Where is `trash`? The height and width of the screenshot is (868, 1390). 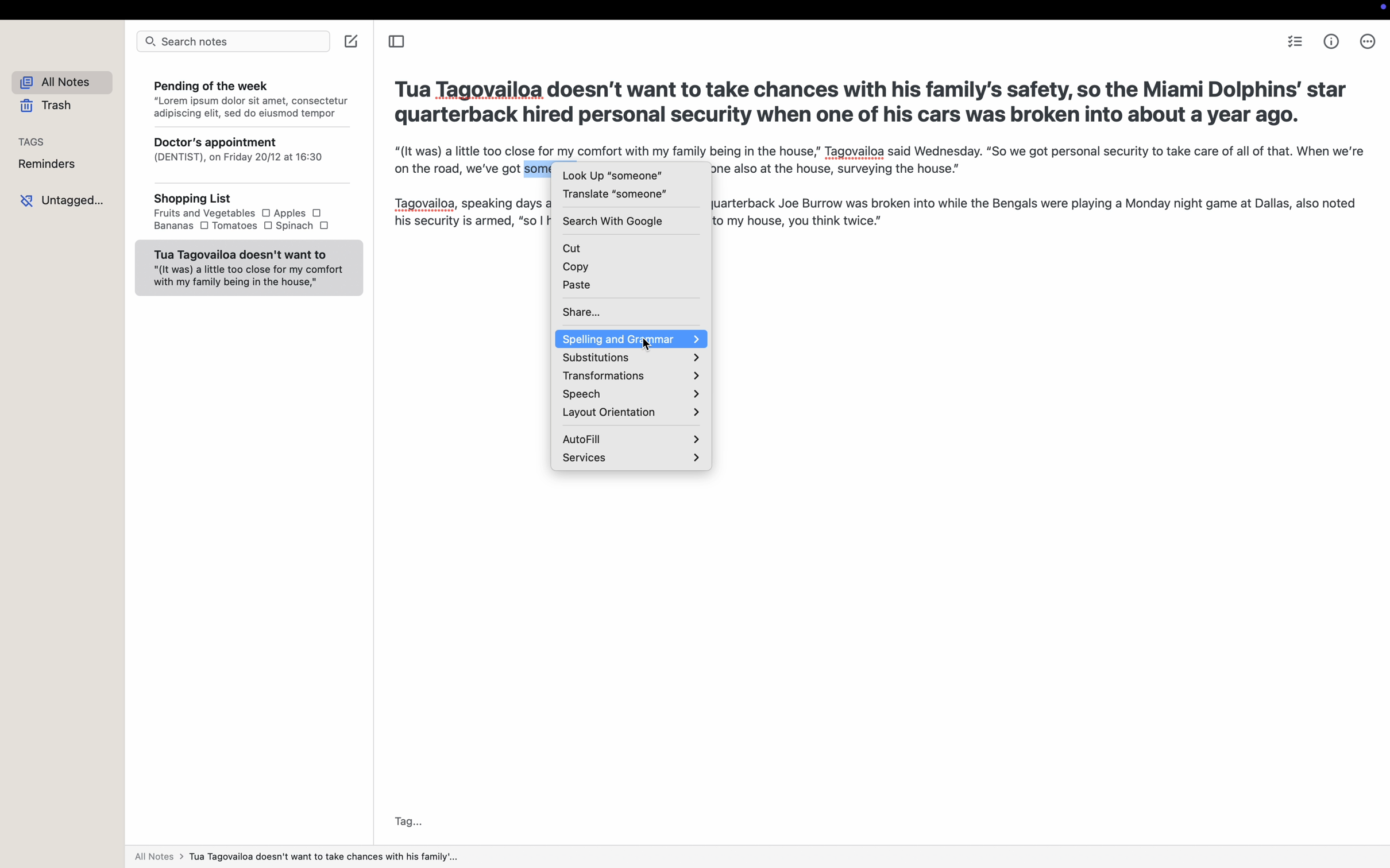 trash is located at coordinates (46, 106).